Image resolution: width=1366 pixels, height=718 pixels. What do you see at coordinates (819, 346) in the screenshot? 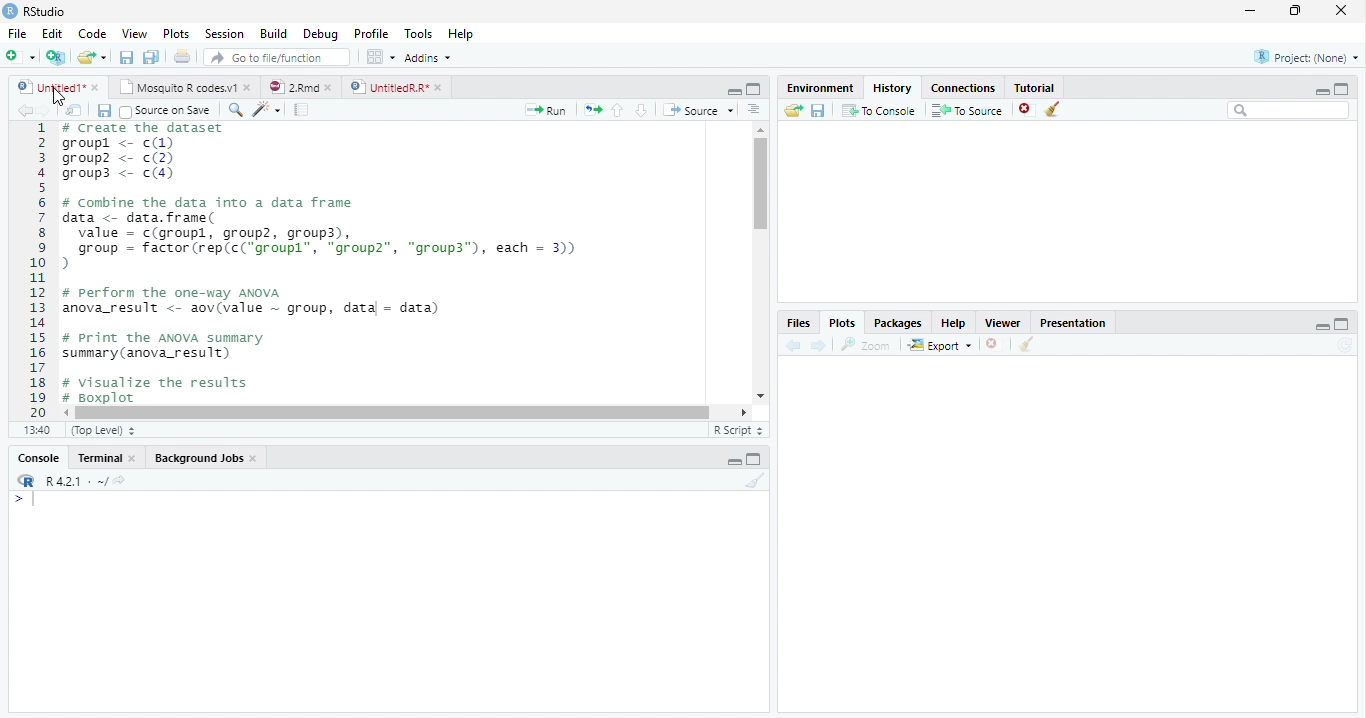
I see `Next` at bounding box center [819, 346].